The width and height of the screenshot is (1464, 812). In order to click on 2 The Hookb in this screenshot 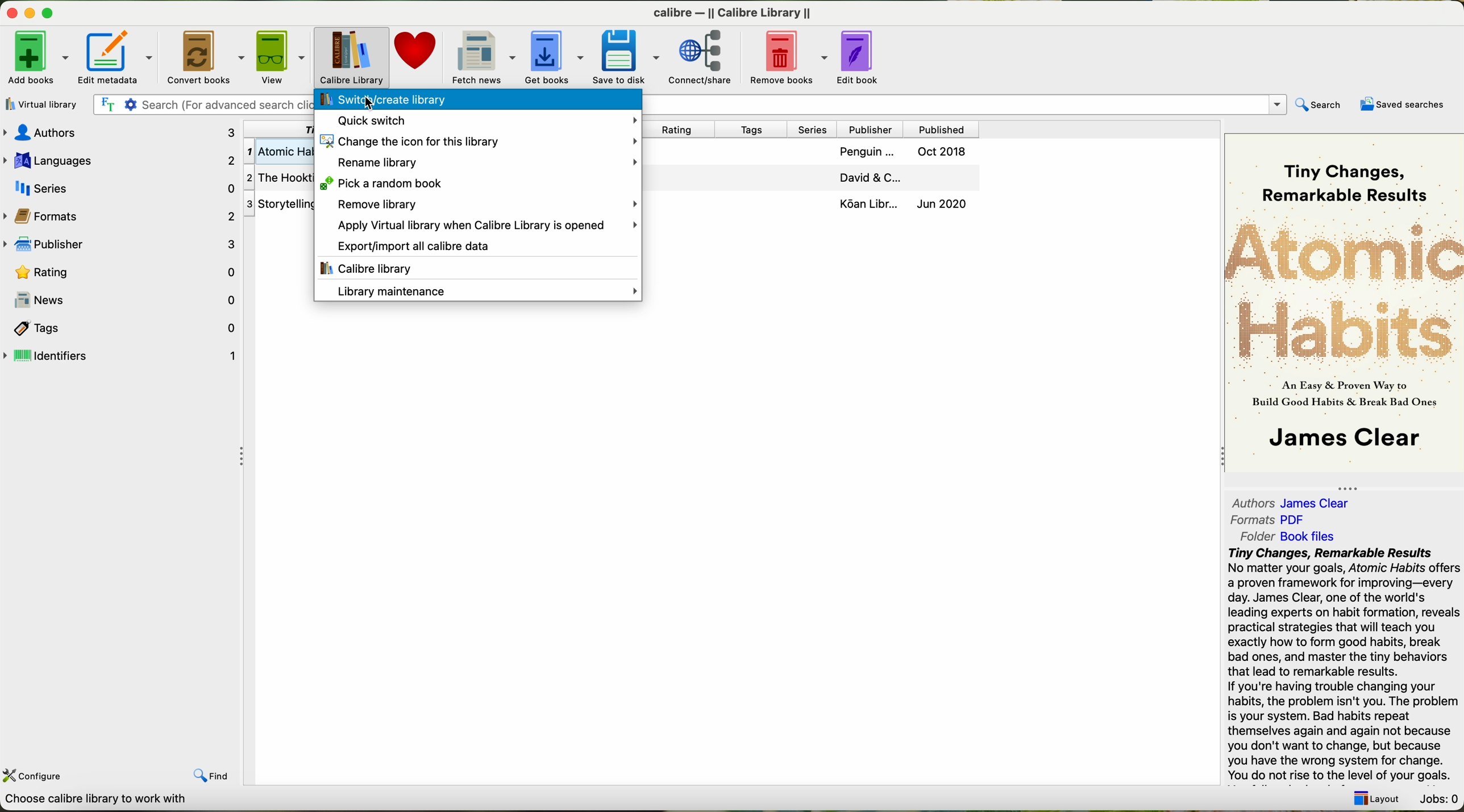, I will do `click(279, 178)`.